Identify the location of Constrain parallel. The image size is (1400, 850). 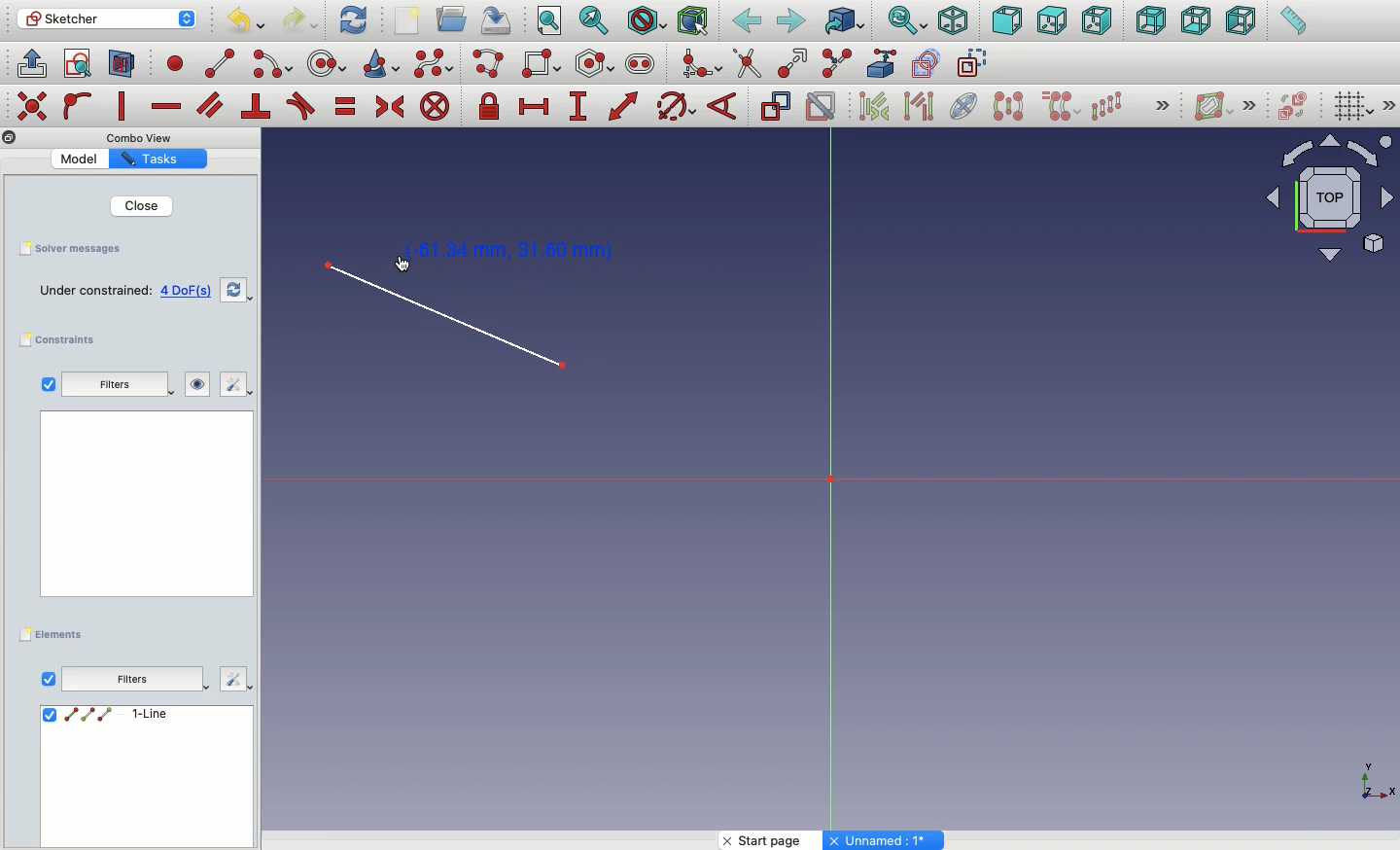
(210, 105).